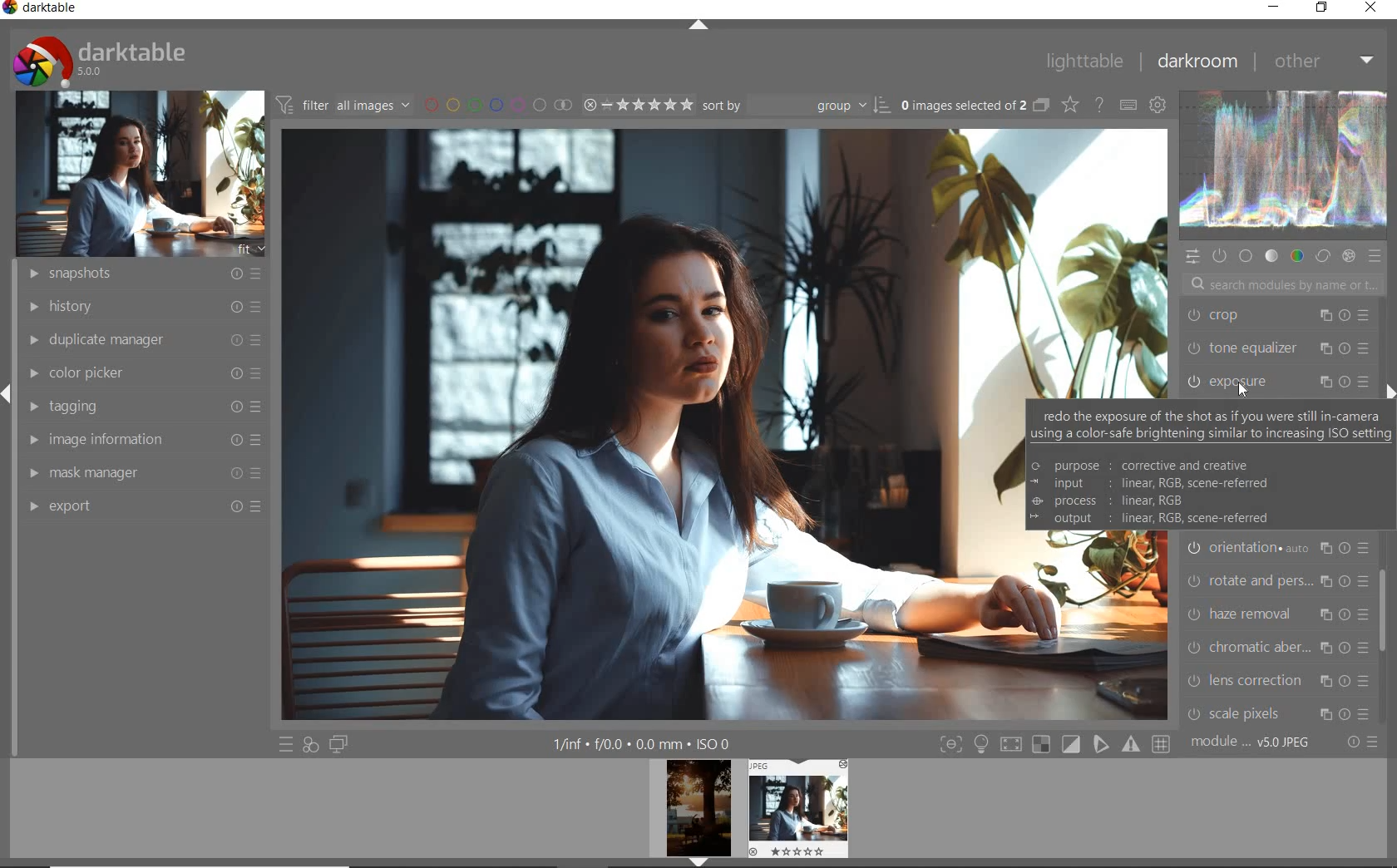  I want to click on SELECTED IMAGE, so click(650, 426).